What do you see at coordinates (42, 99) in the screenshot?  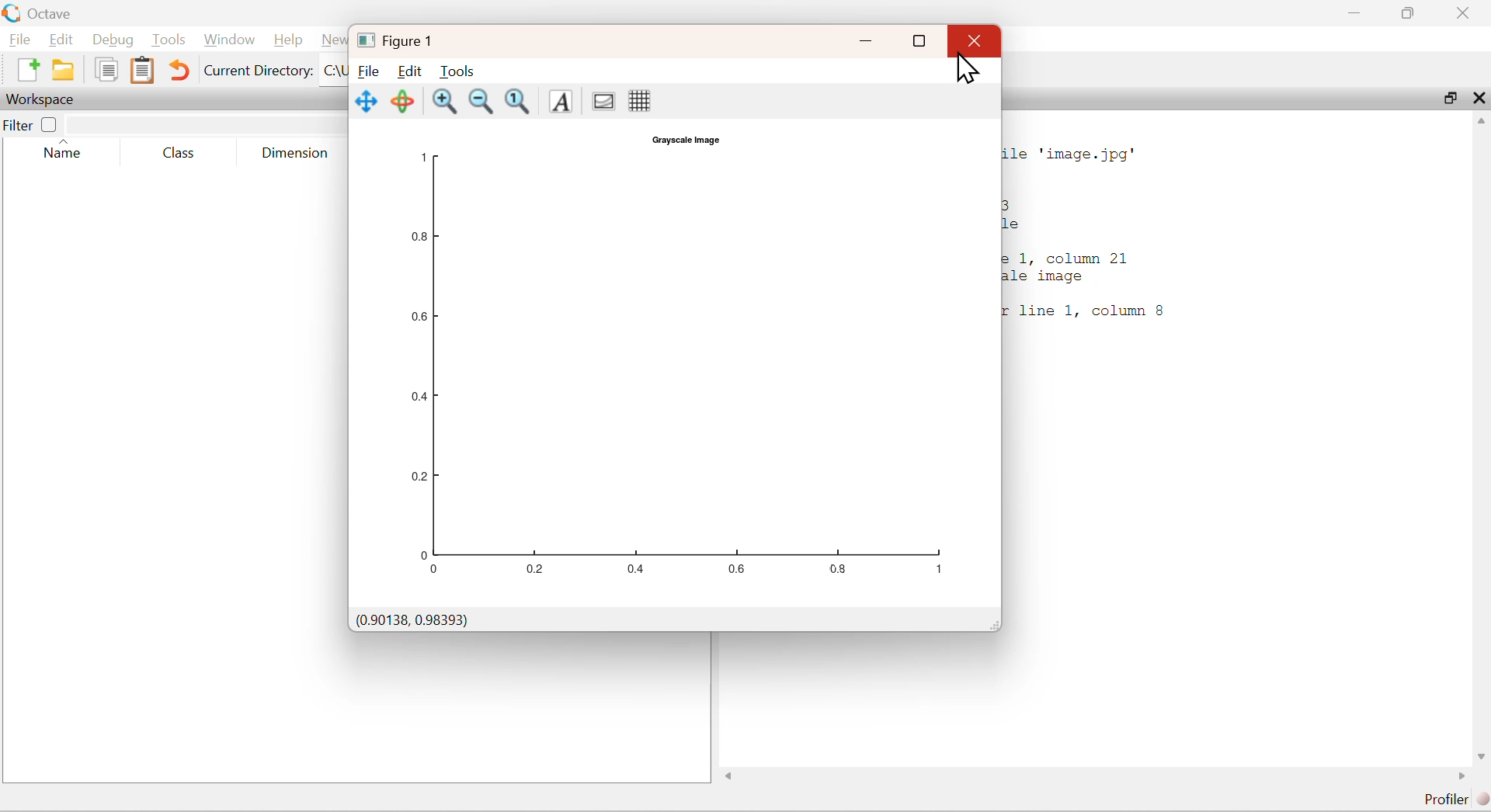 I see `Workspace` at bounding box center [42, 99].